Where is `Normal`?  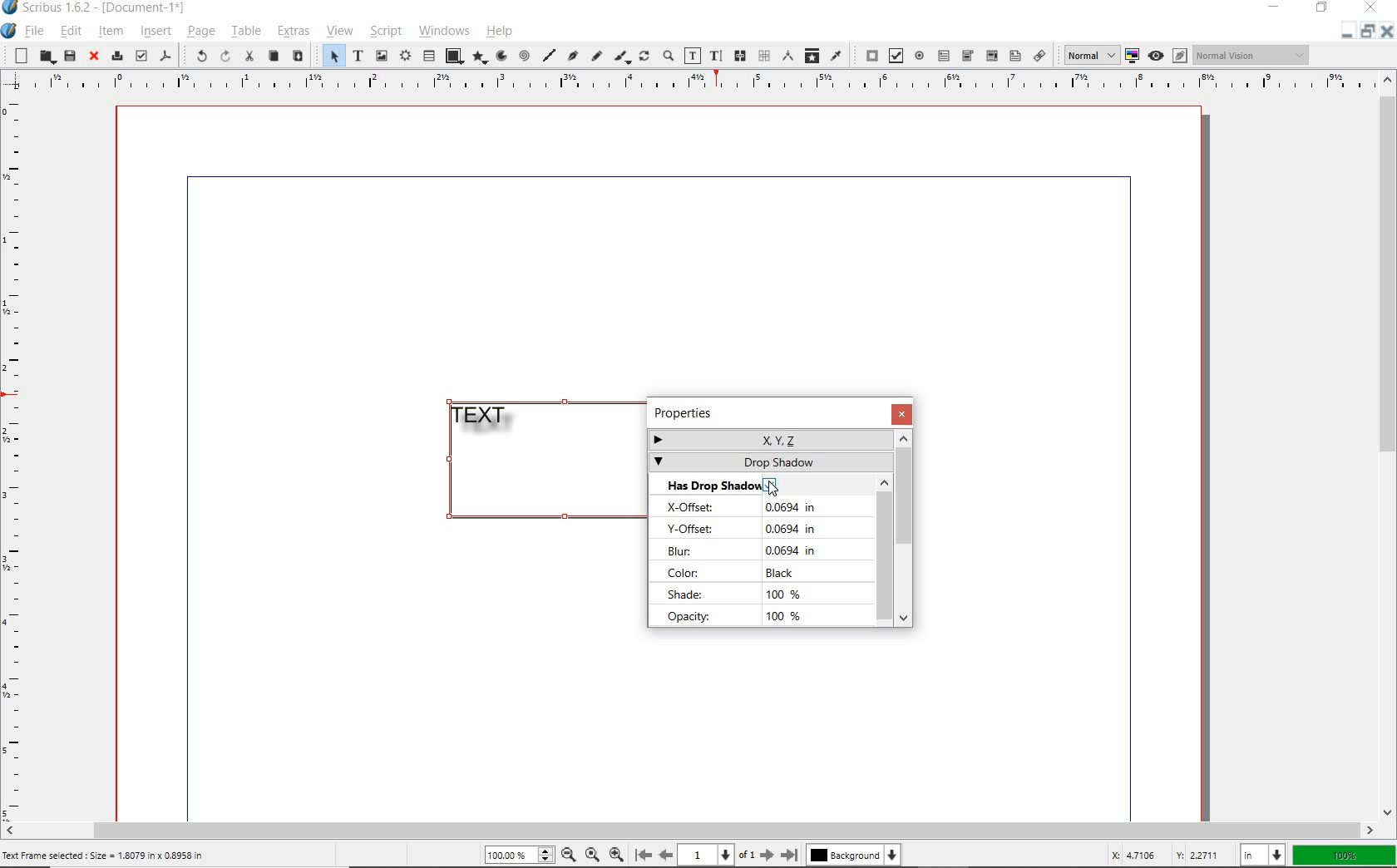
Normal is located at coordinates (1090, 55).